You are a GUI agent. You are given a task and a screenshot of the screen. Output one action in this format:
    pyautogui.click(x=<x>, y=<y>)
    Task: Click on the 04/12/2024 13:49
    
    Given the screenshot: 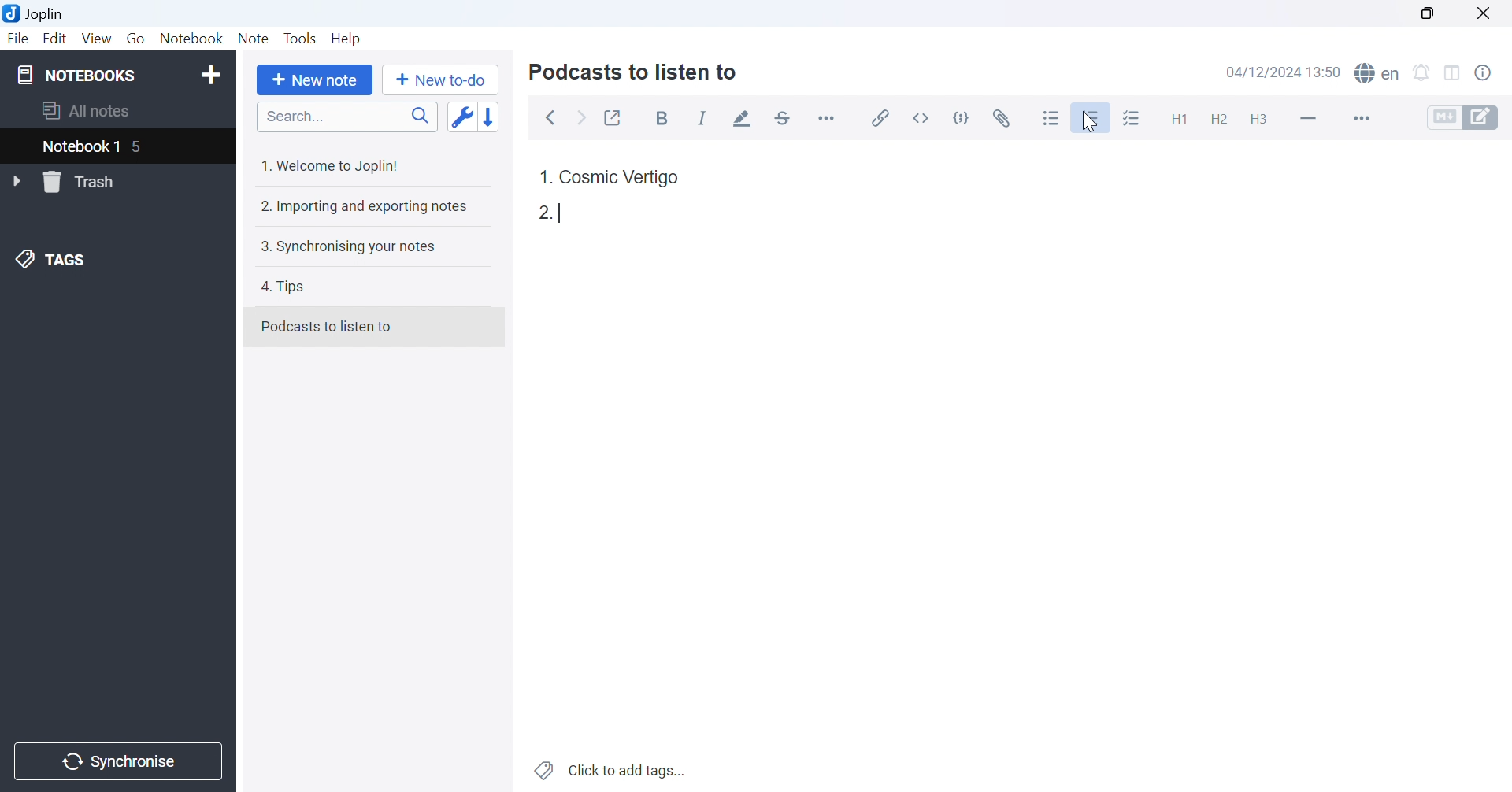 What is the action you would take?
    pyautogui.click(x=1284, y=72)
    